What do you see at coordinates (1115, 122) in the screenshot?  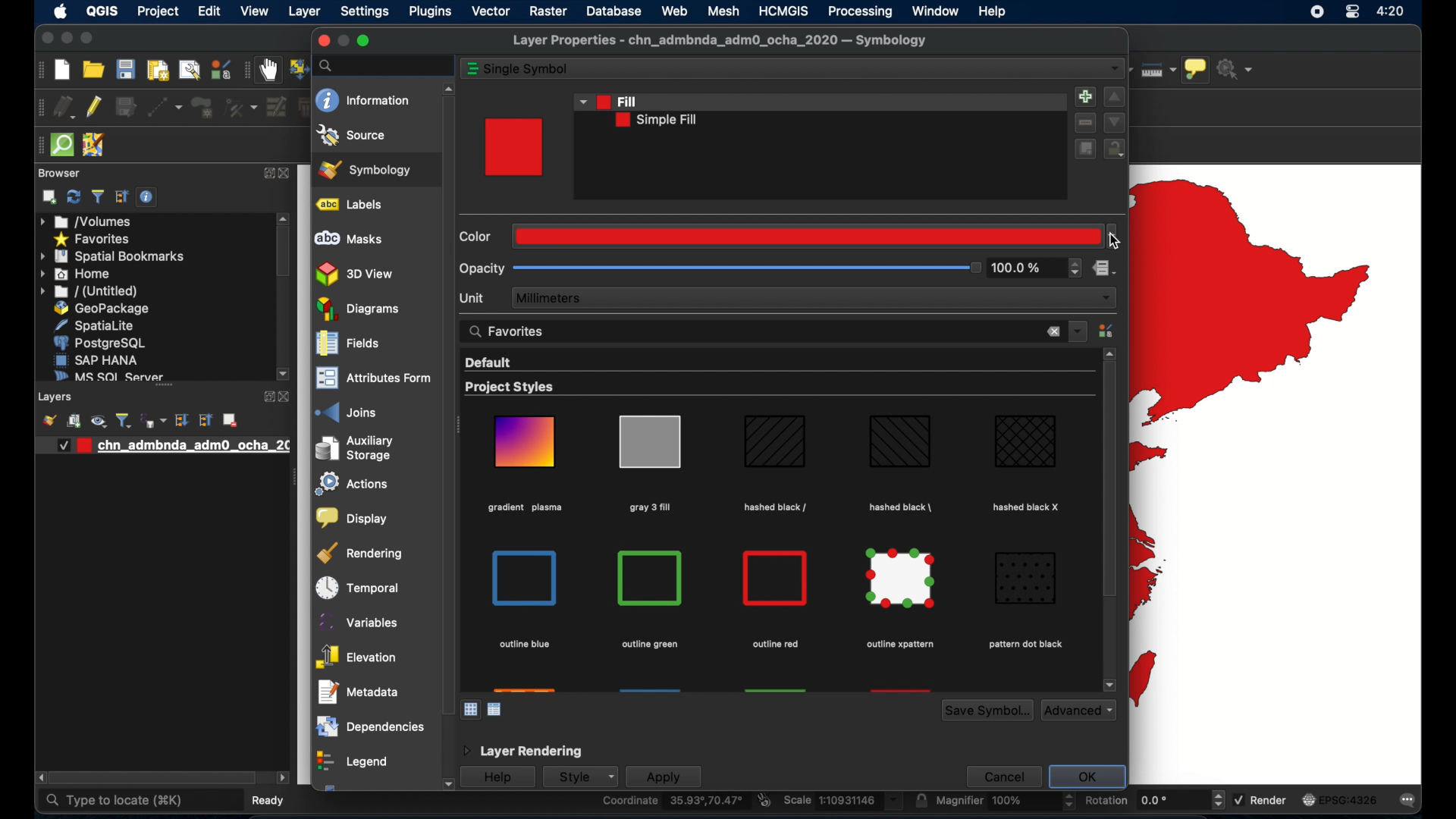 I see `move down` at bounding box center [1115, 122].